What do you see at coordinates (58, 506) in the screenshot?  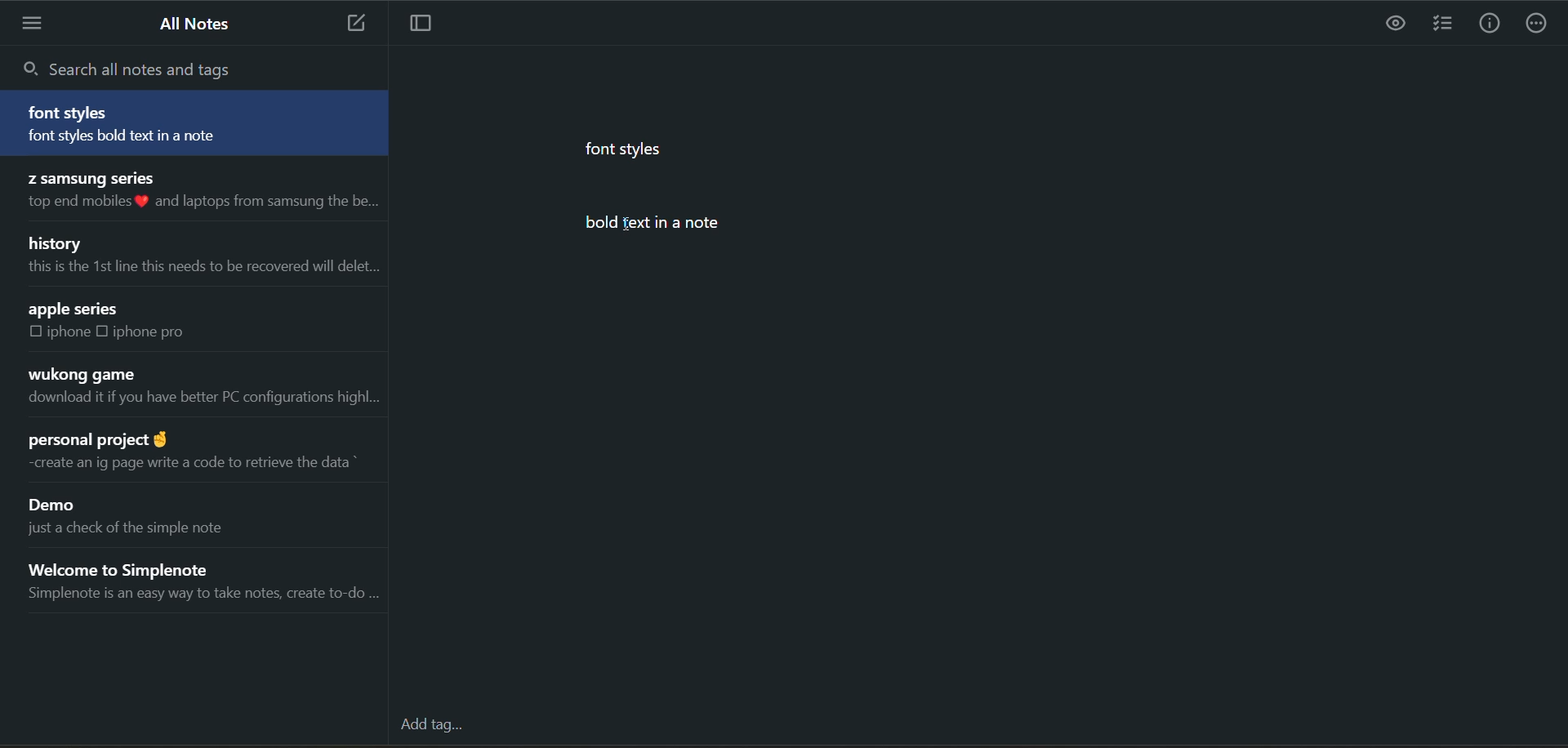 I see `Demo` at bounding box center [58, 506].